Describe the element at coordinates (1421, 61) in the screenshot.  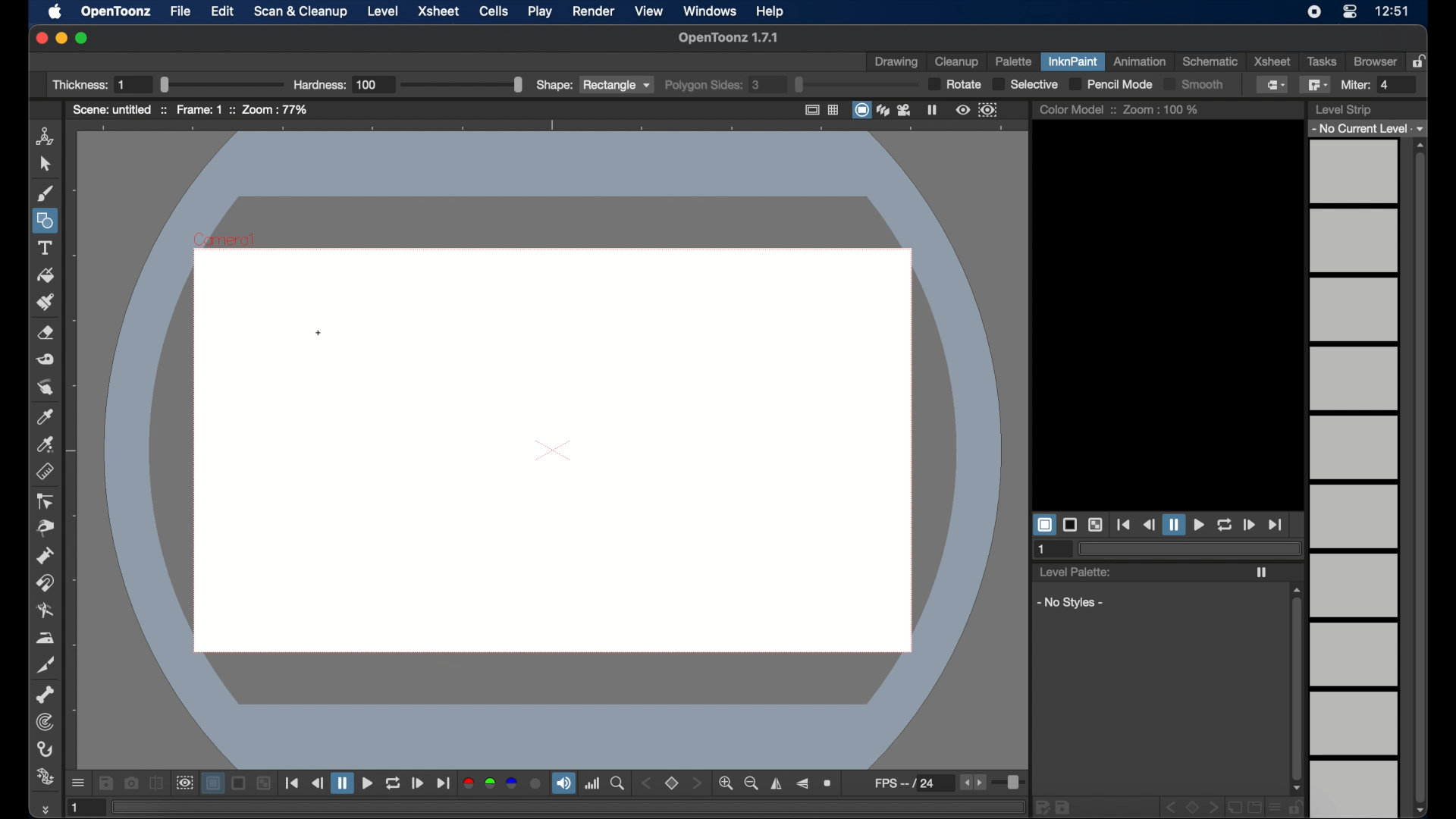
I see `lock rooms table` at that location.